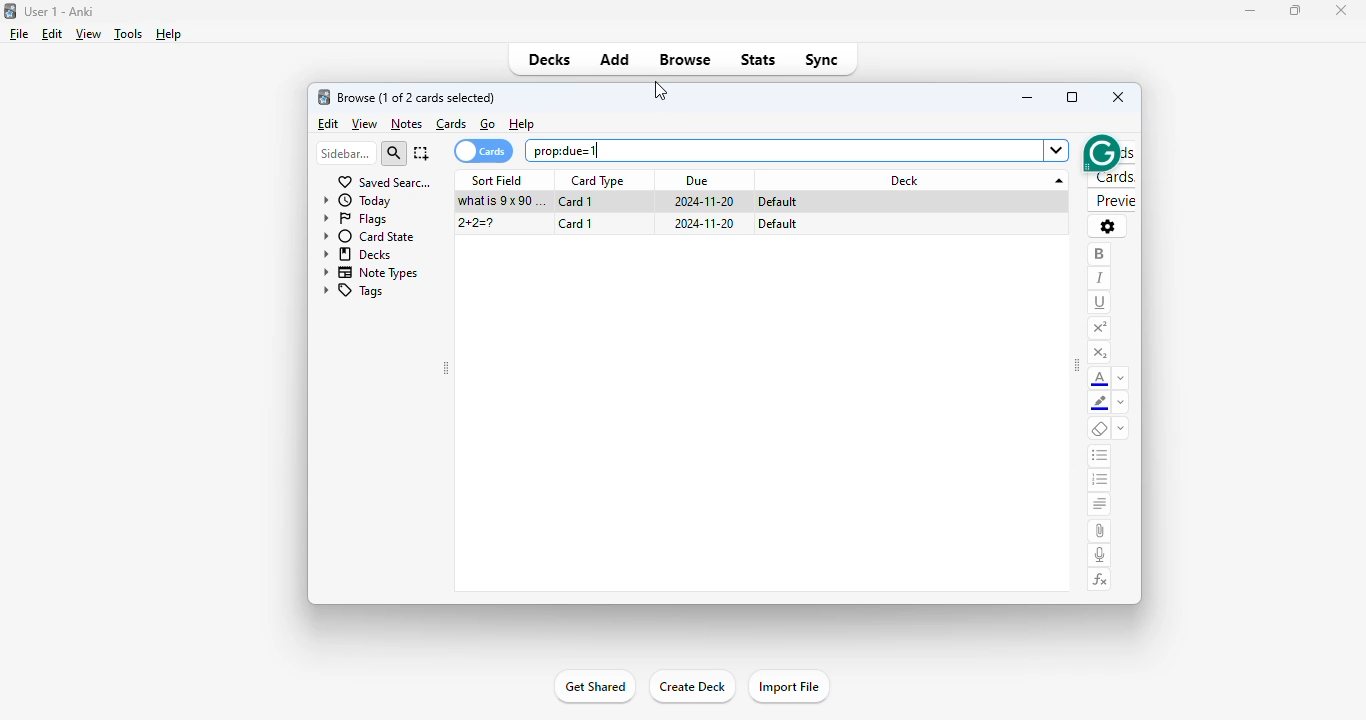  Describe the element at coordinates (684, 60) in the screenshot. I see `browse` at that location.